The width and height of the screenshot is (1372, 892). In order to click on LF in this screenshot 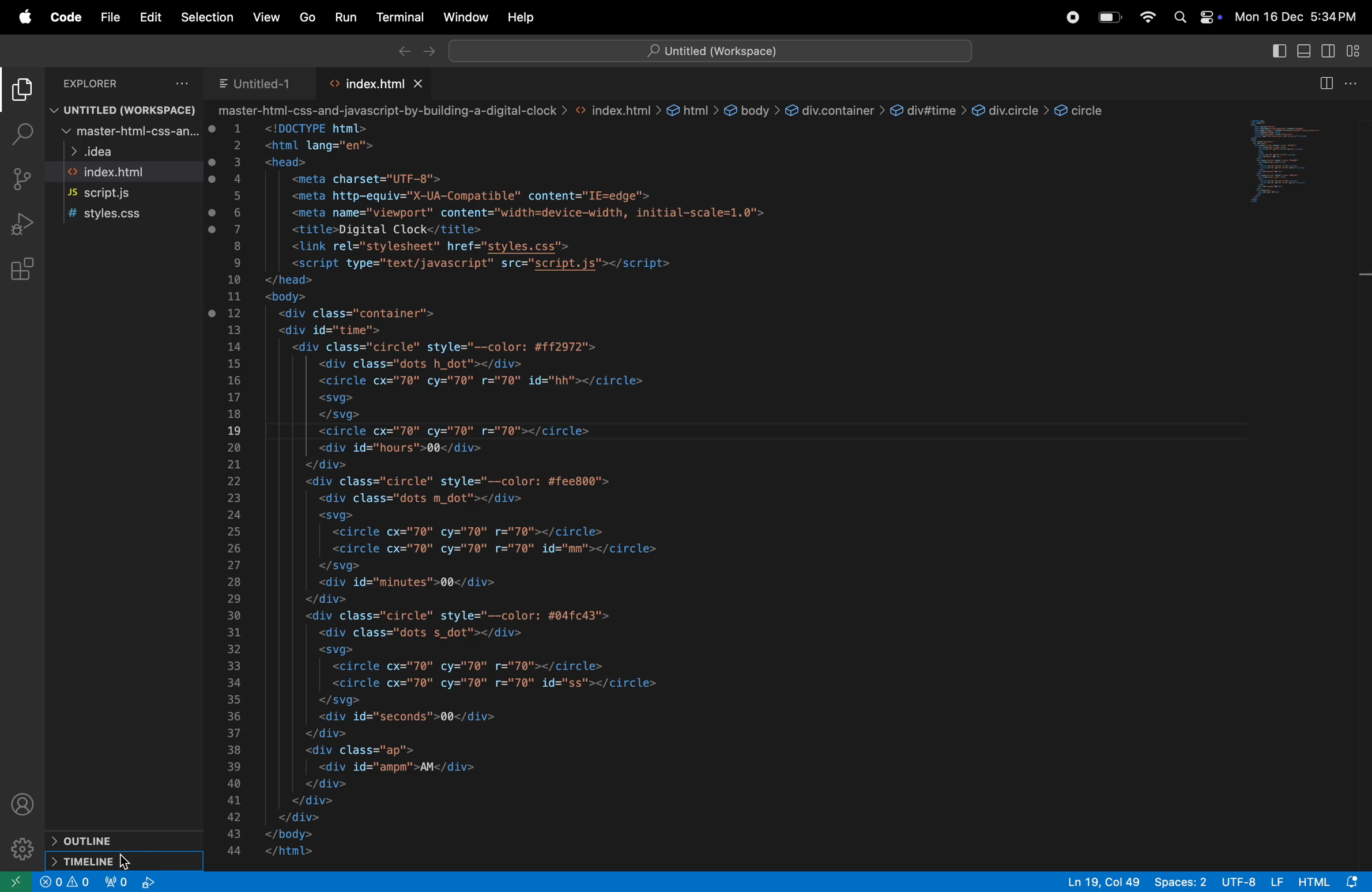, I will do `click(1276, 881)`.